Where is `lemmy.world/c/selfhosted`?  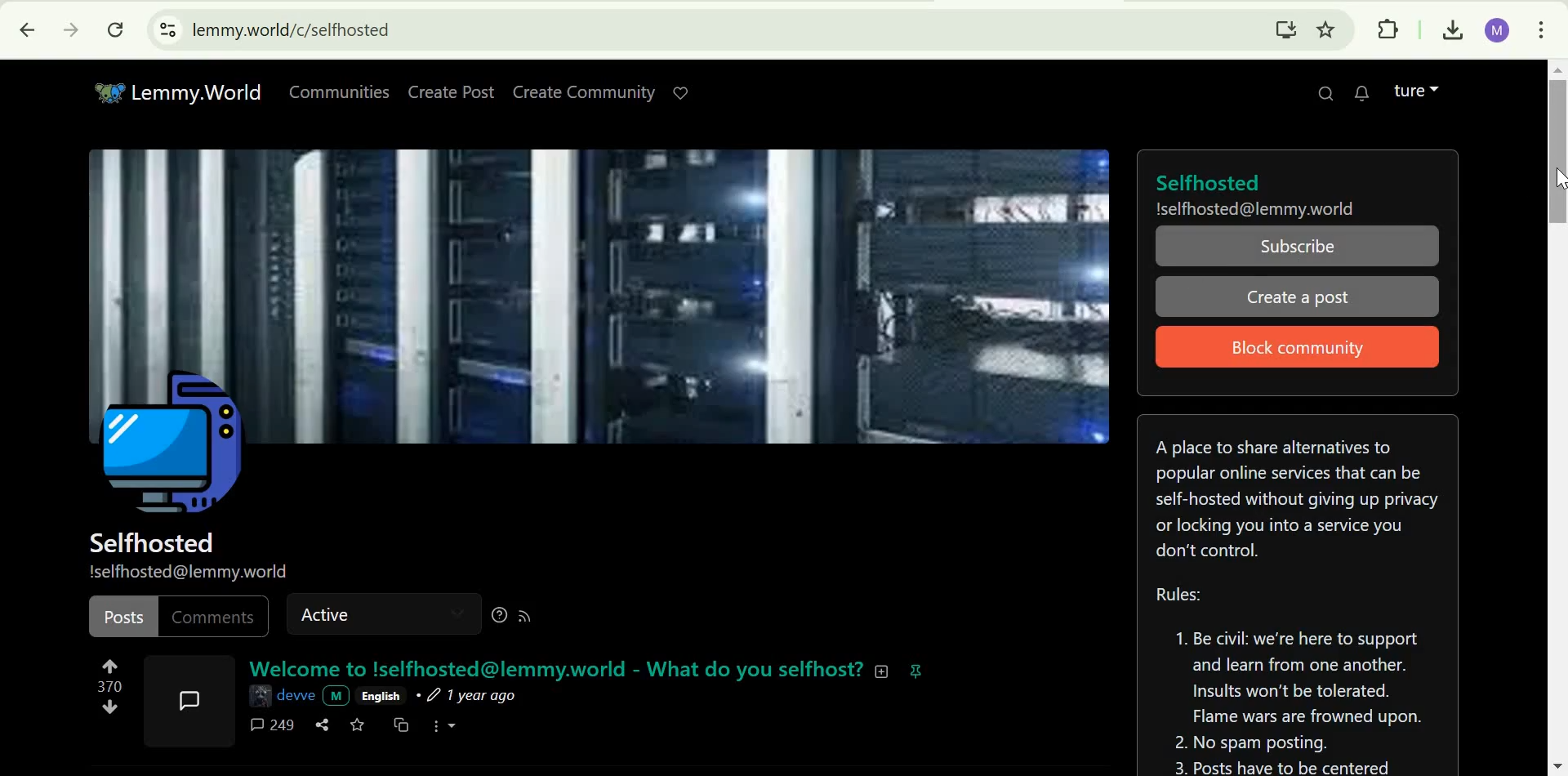
lemmy.world/c/selfhosted is located at coordinates (292, 30).